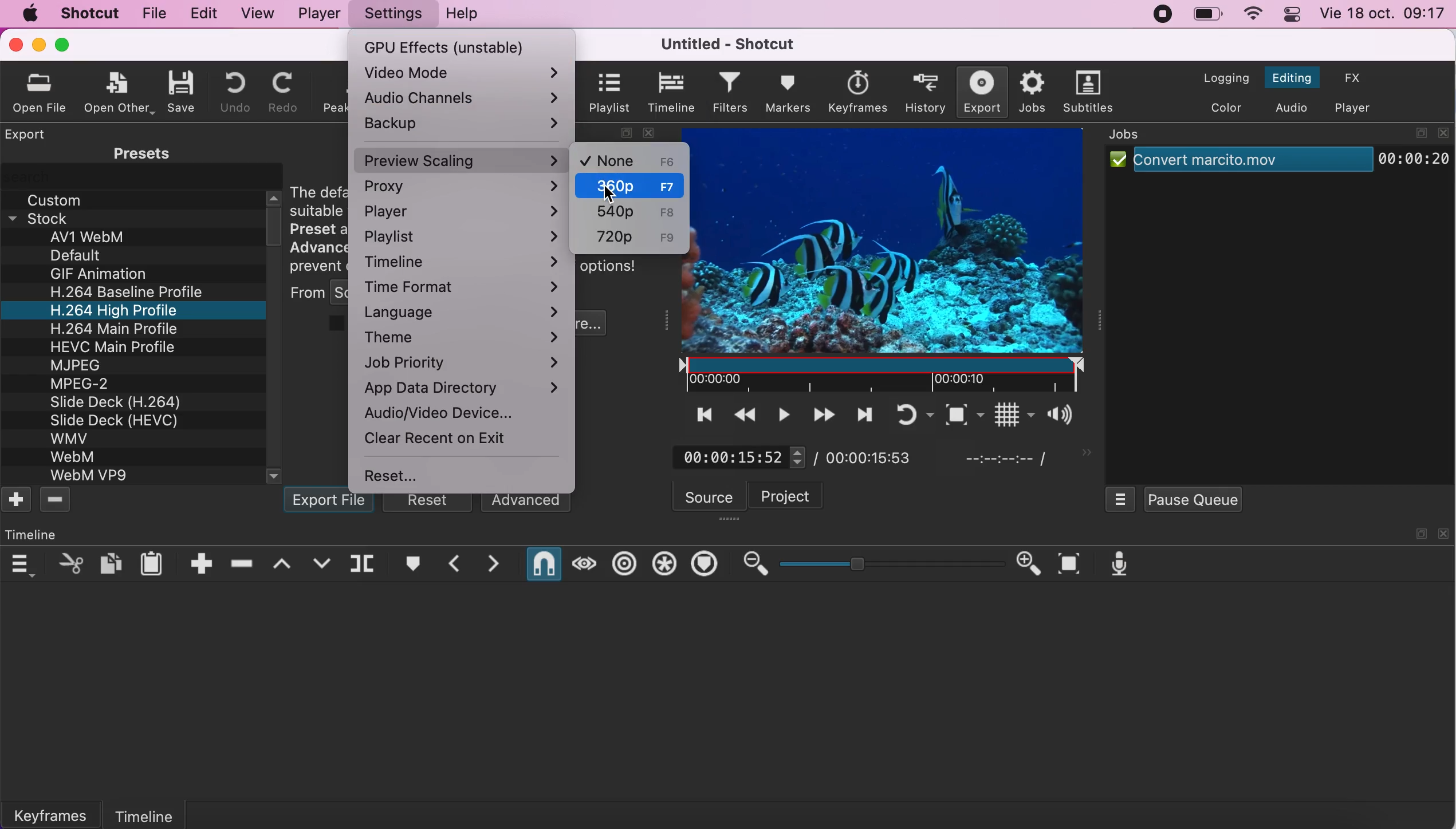  Describe the element at coordinates (466, 99) in the screenshot. I see `audio channels` at that location.